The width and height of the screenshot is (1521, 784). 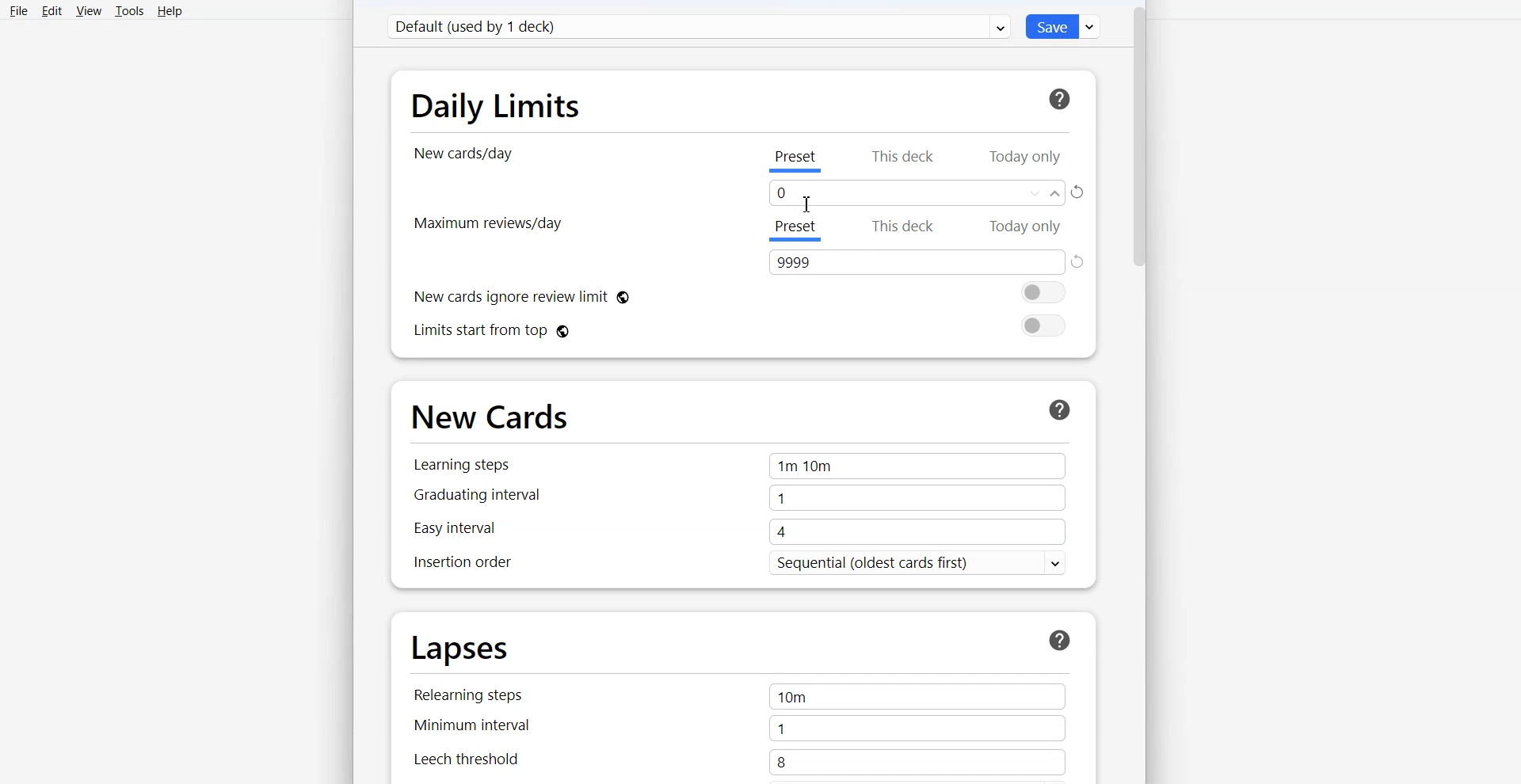 What do you see at coordinates (485, 732) in the screenshot?
I see `Minimum interval` at bounding box center [485, 732].